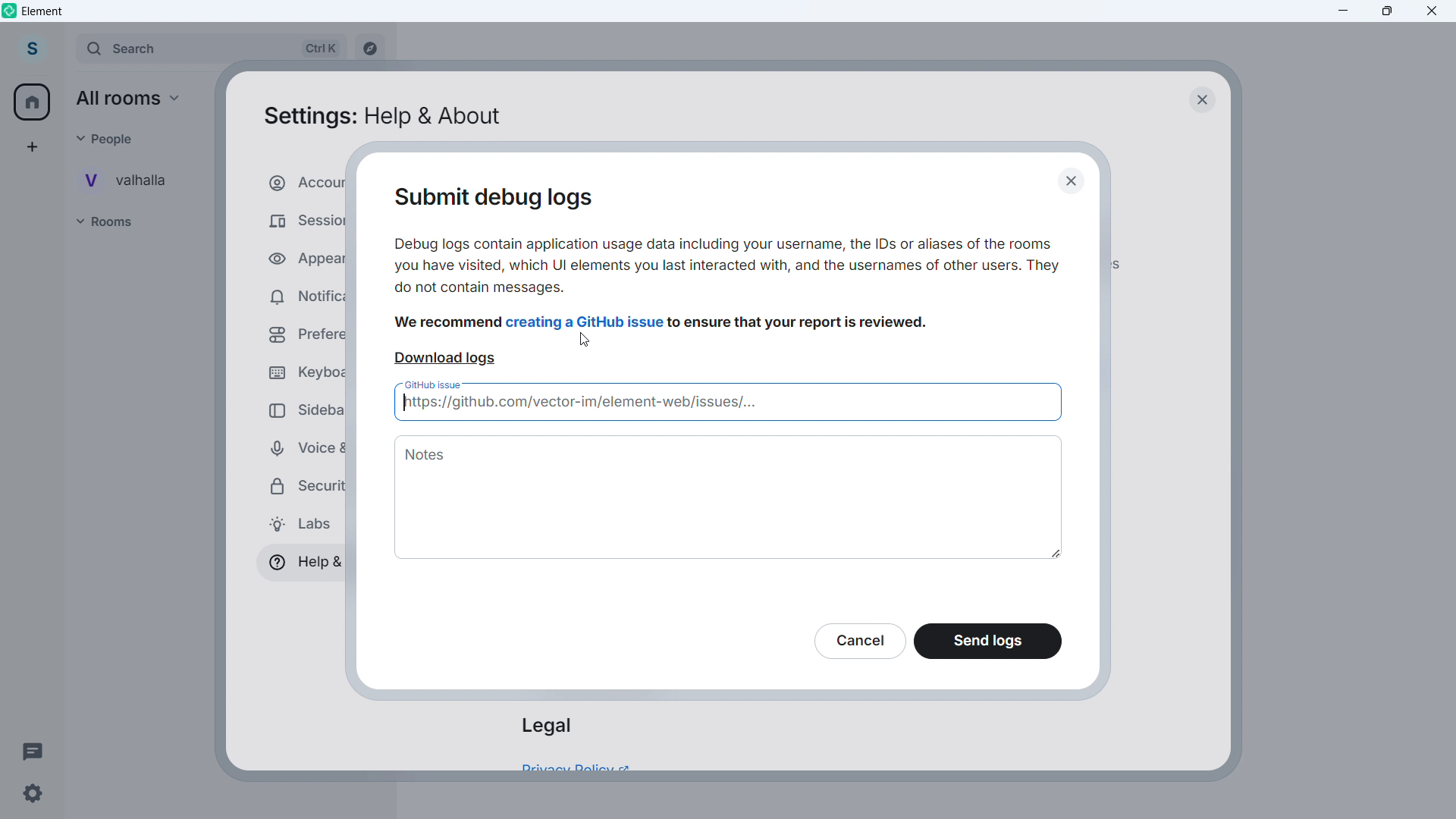 Image resolution: width=1456 pixels, height=819 pixels. I want to click on Account , so click(31, 49).